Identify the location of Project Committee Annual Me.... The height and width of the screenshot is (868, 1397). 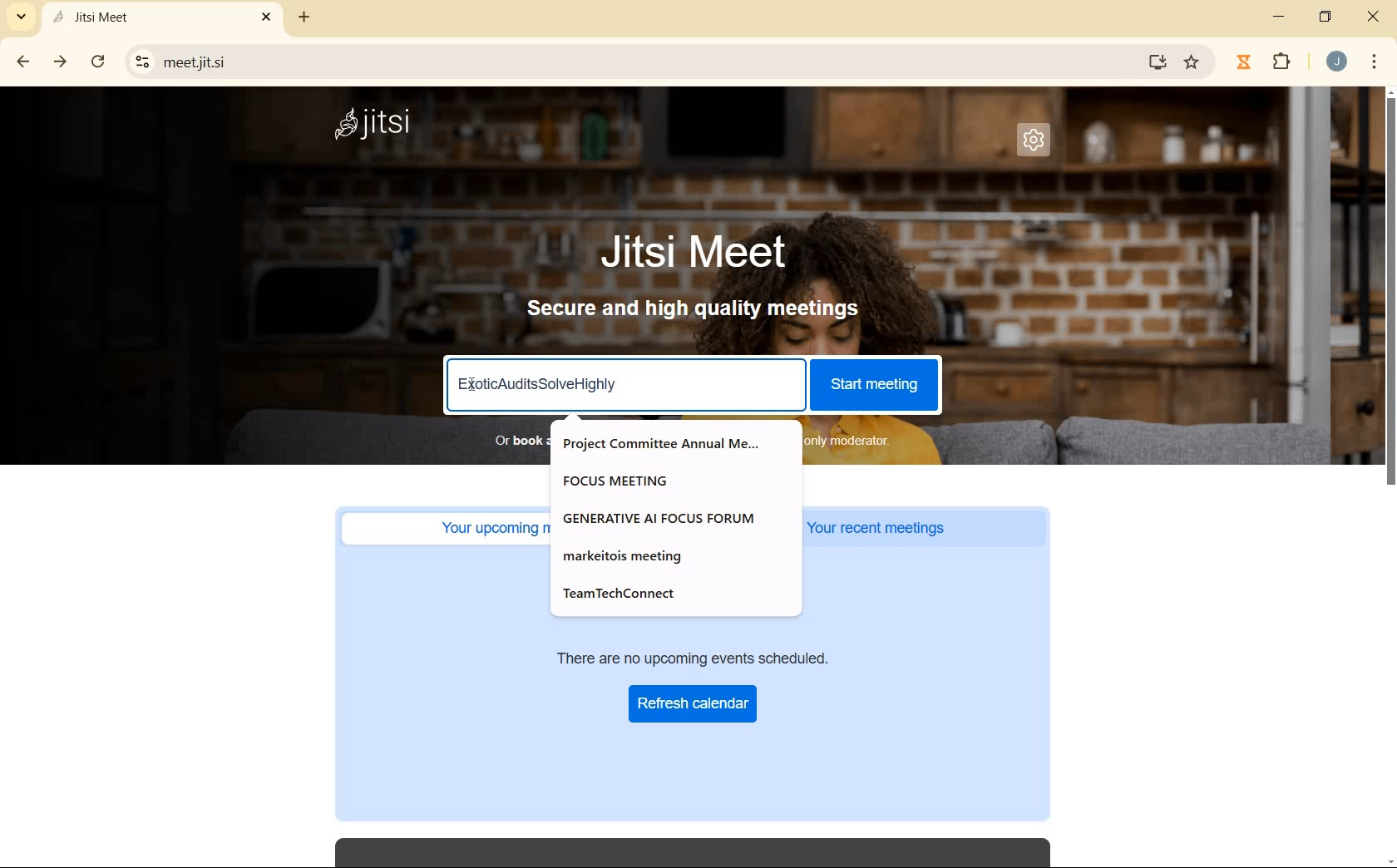
(666, 443).